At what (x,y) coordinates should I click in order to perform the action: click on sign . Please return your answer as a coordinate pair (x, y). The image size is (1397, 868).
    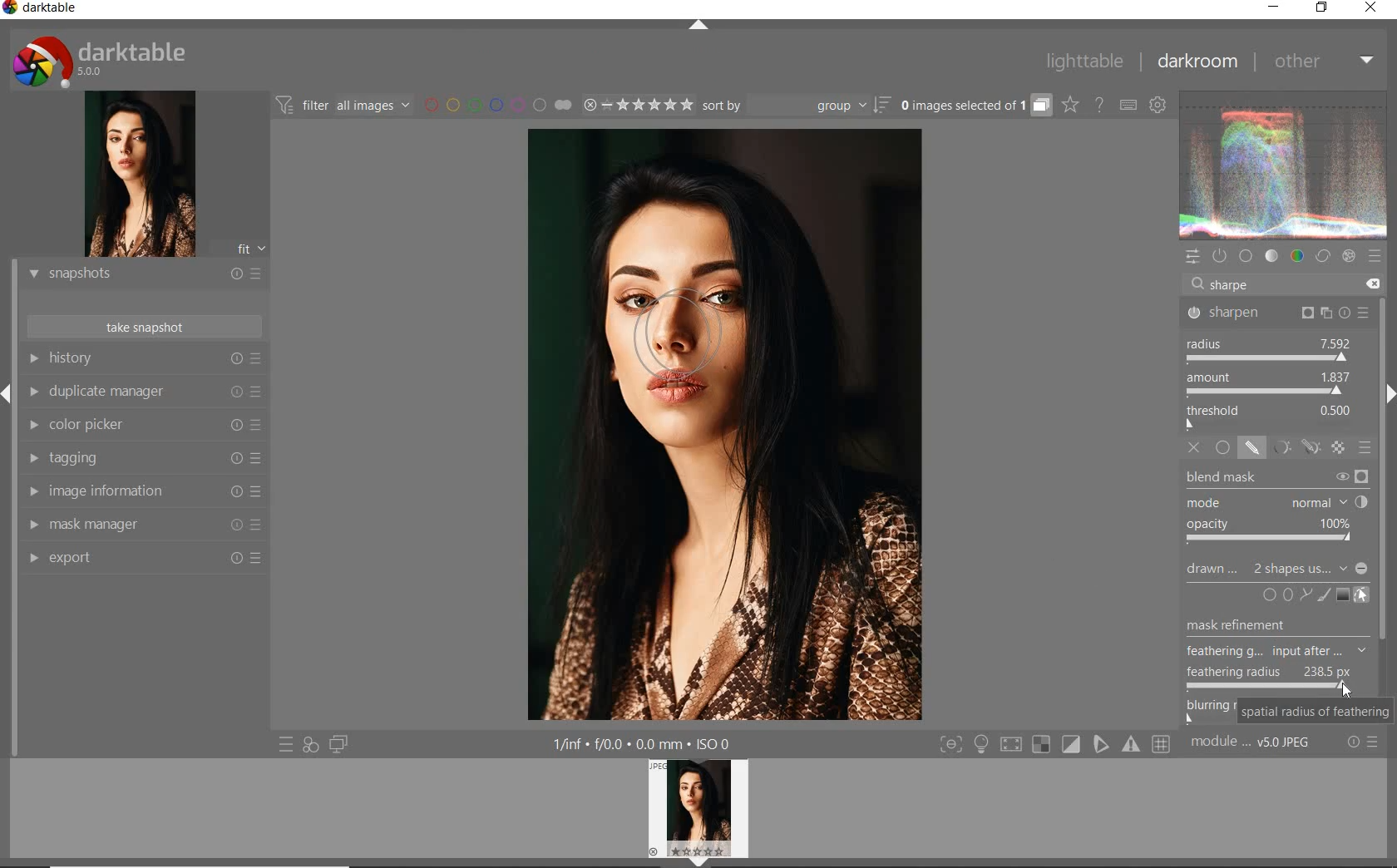
    Looking at the image, I should click on (1042, 746).